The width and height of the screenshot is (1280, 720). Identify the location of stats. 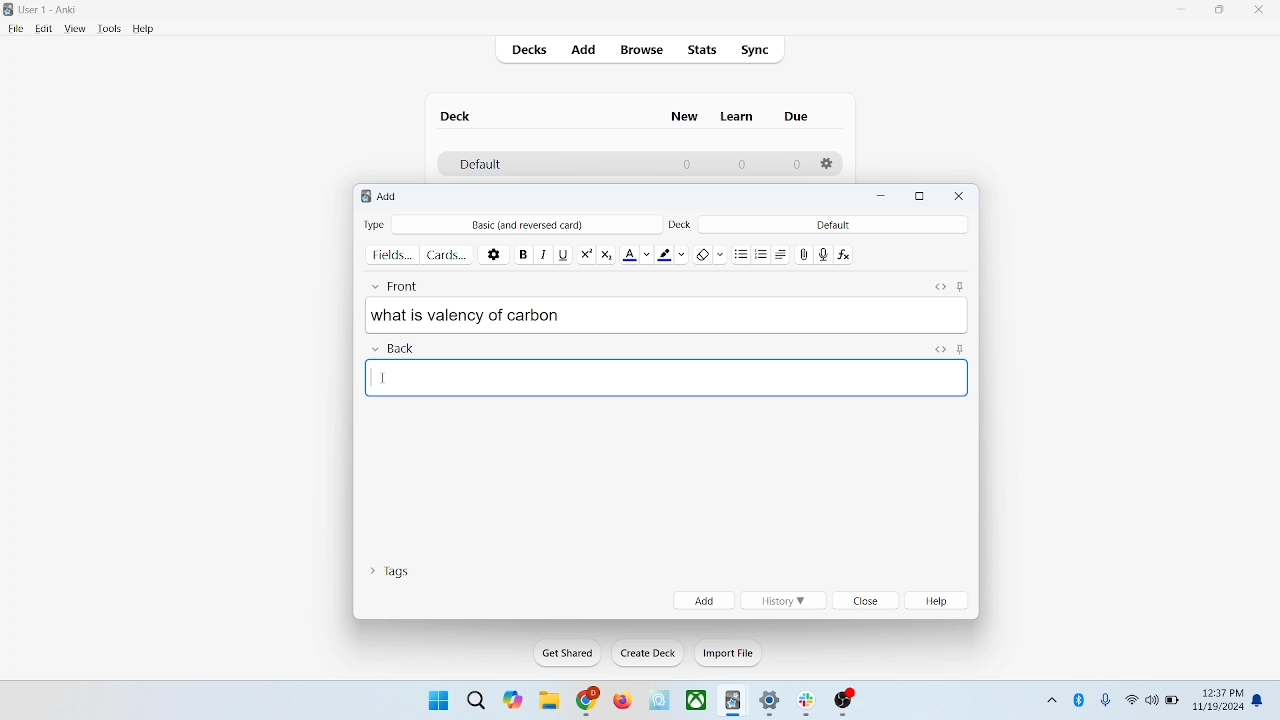
(701, 50).